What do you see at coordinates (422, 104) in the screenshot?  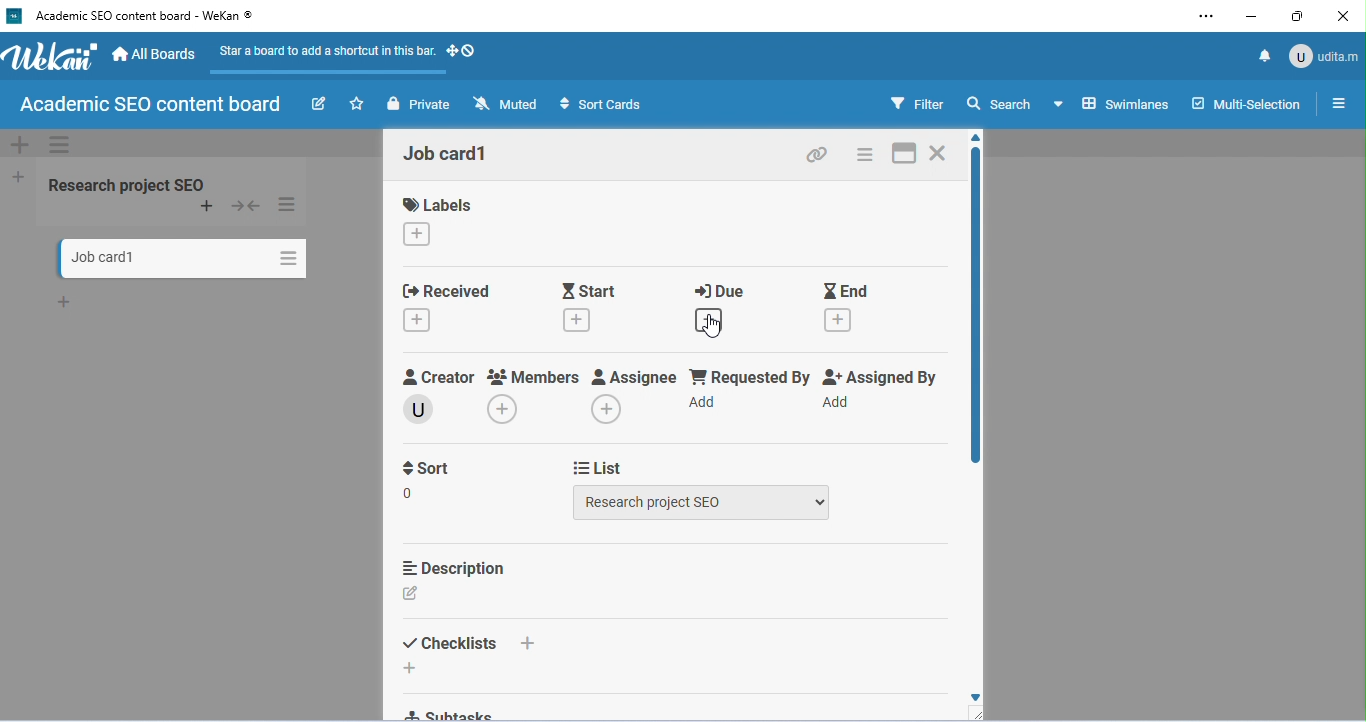 I see `private` at bounding box center [422, 104].